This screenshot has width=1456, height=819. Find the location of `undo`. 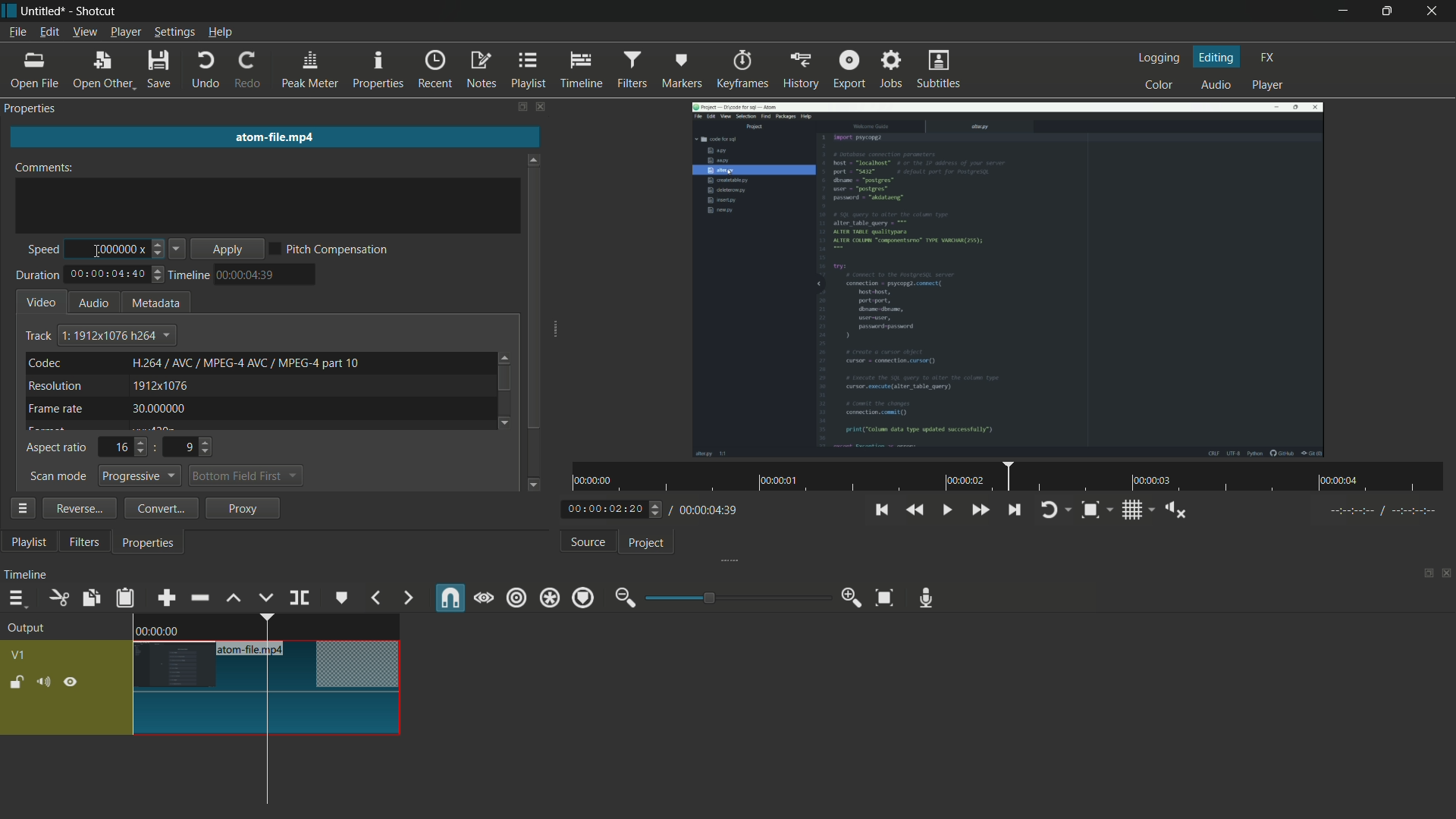

undo is located at coordinates (206, 71).